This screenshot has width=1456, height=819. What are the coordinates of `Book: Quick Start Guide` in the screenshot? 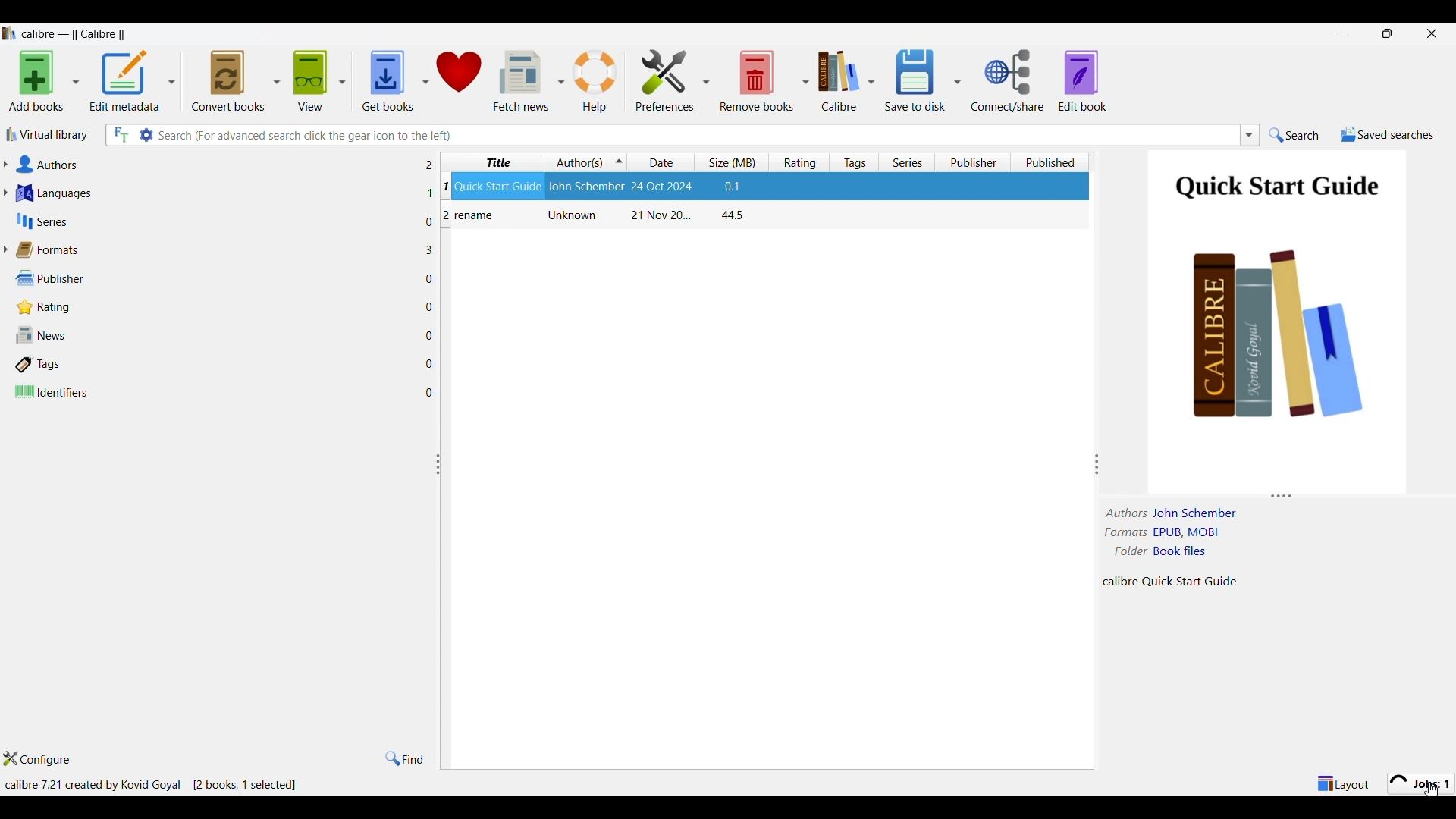 It's located at (764, 188).